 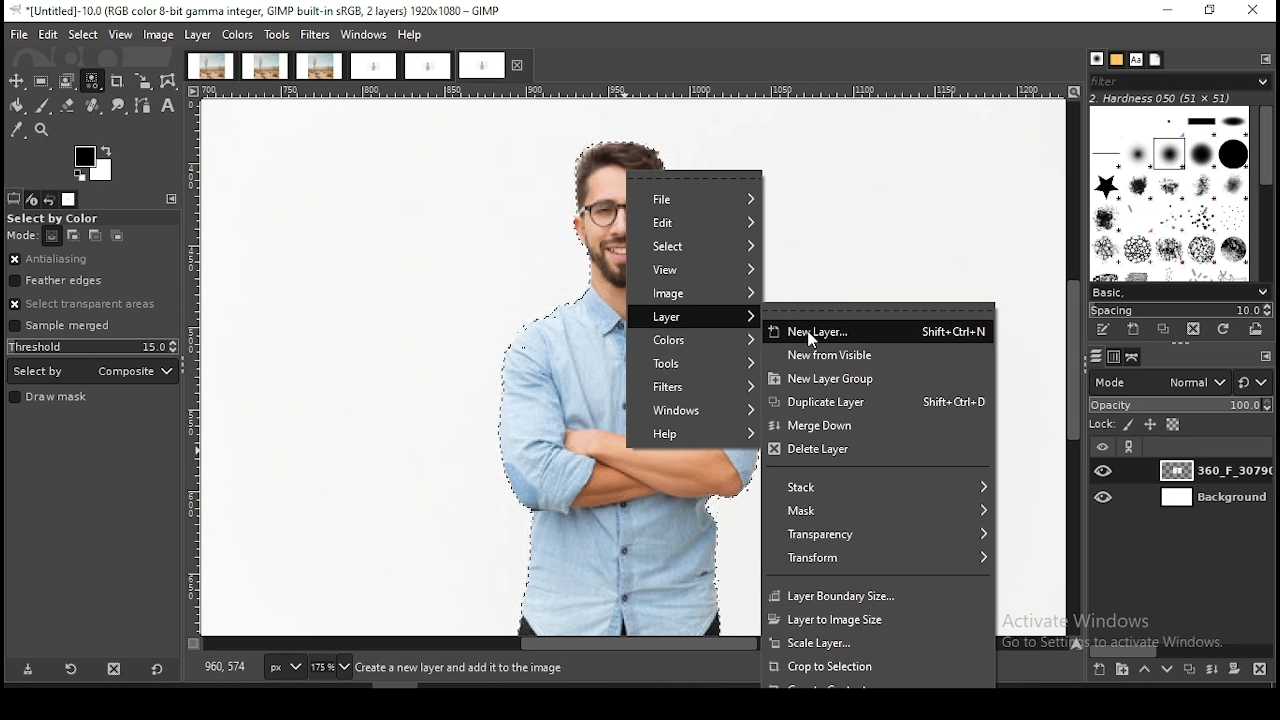 What do you see at coordinates (1105, 471) in the screenshot?
I see `layer visibility on/off` at bounding box center [1105, 471].